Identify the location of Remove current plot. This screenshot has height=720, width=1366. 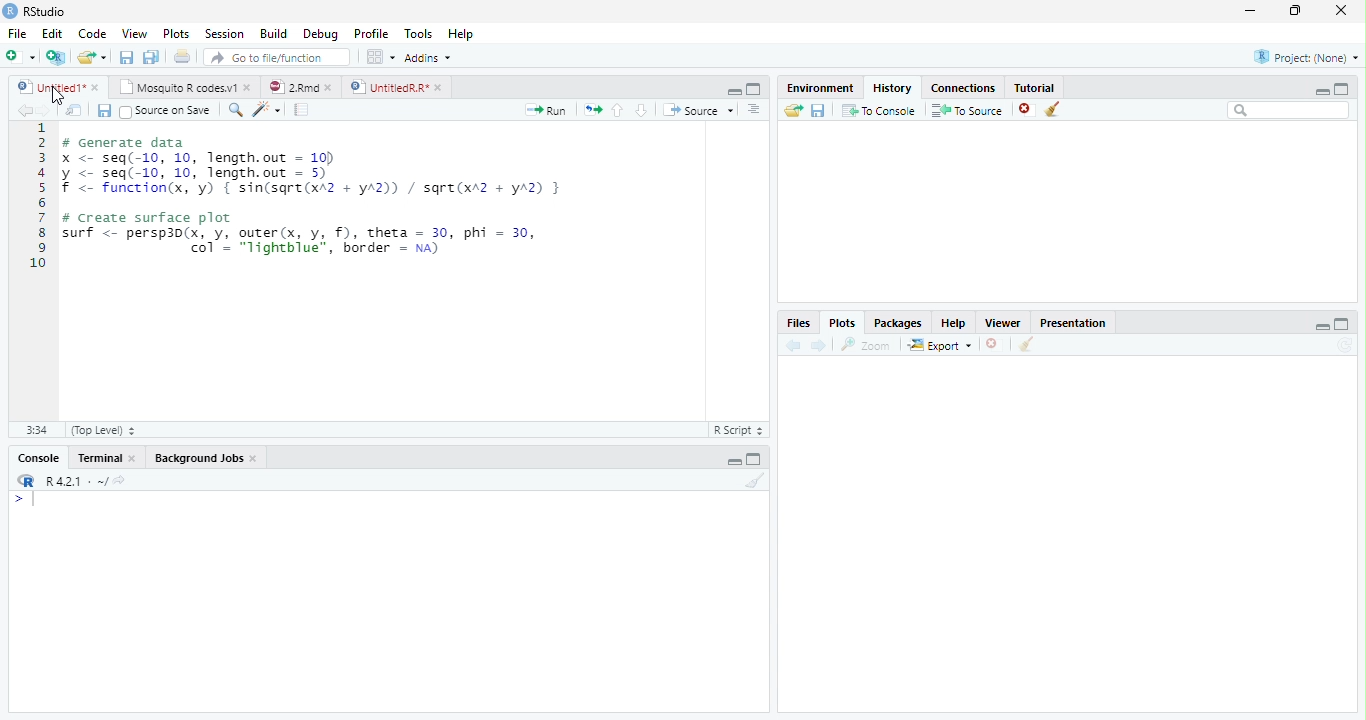
(996, 344).